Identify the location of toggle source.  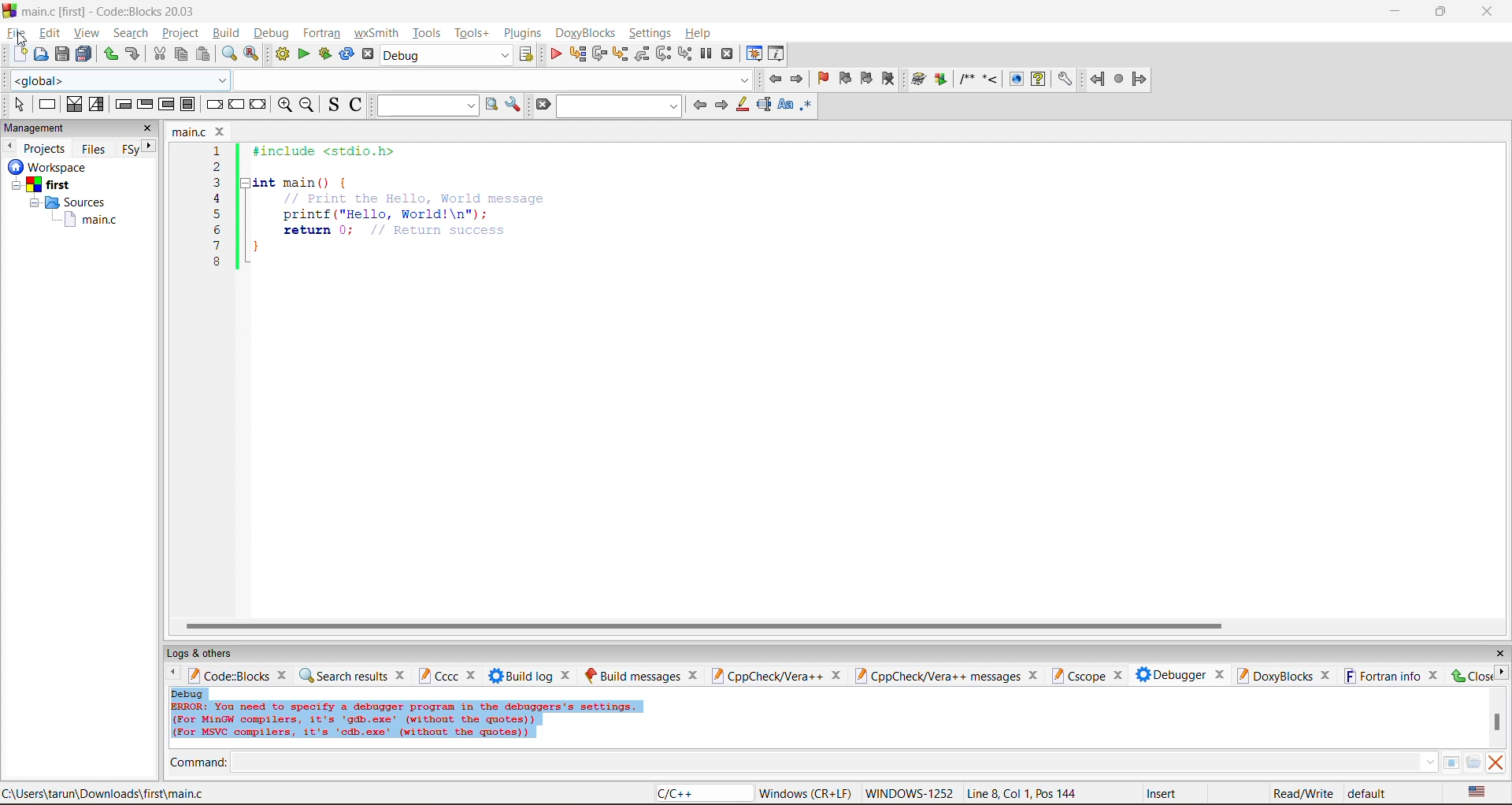
(335, 104).